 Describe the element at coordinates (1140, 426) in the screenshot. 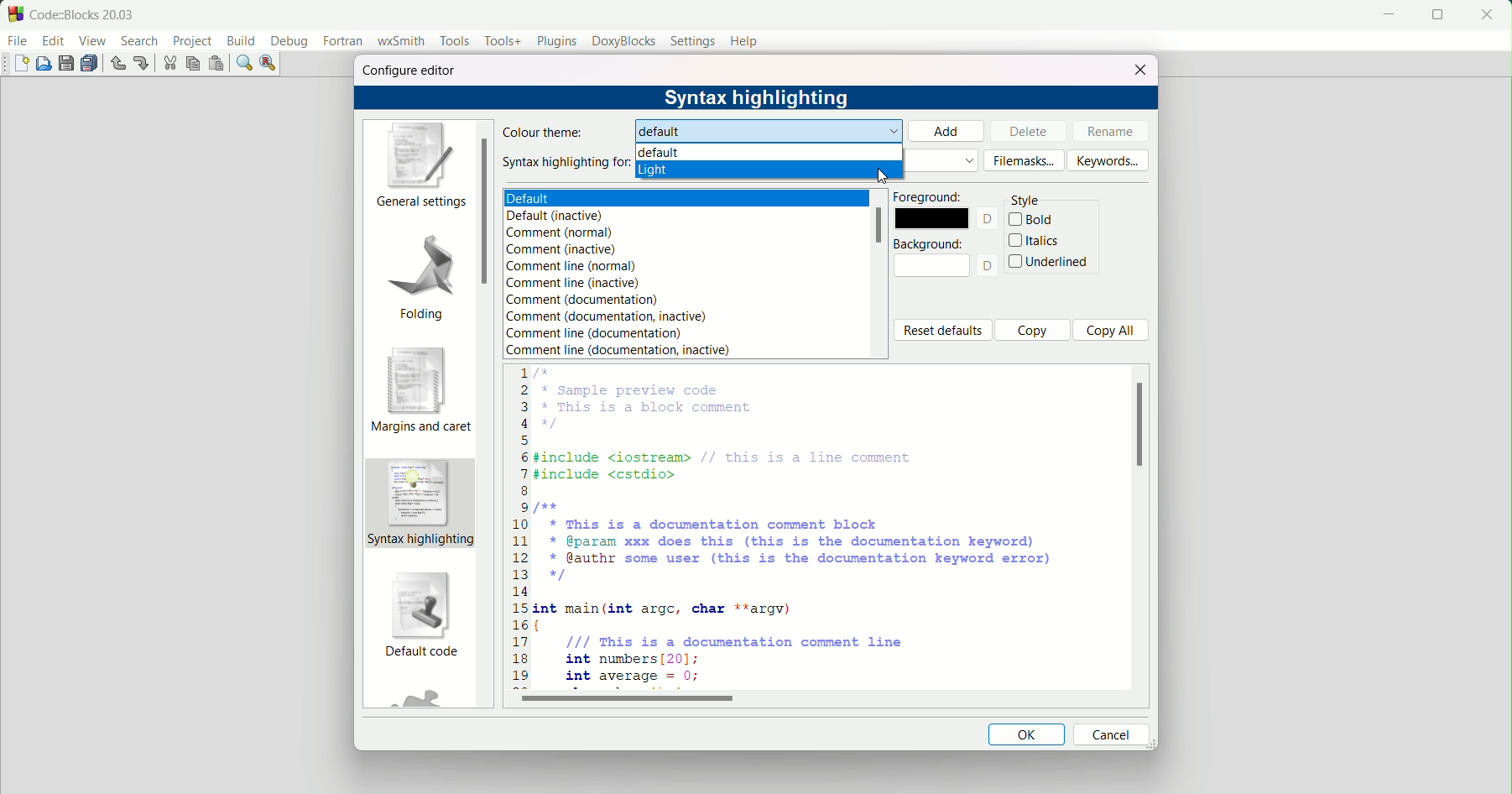

I see `scroll bar` at that location.